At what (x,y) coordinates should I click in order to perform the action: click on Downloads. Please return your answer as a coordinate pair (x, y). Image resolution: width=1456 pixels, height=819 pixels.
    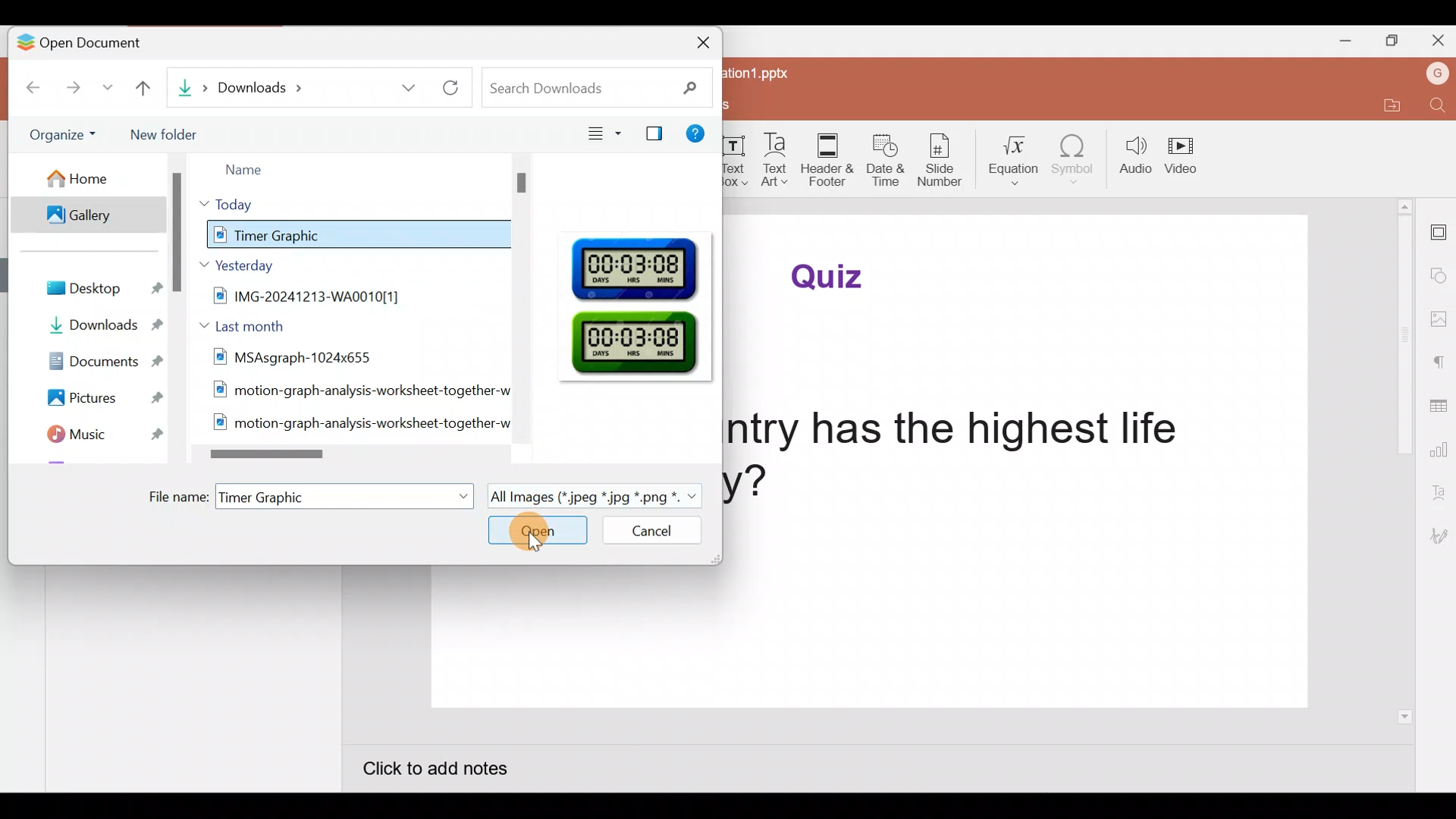
    Looking at the image, I should click on (297, 86).